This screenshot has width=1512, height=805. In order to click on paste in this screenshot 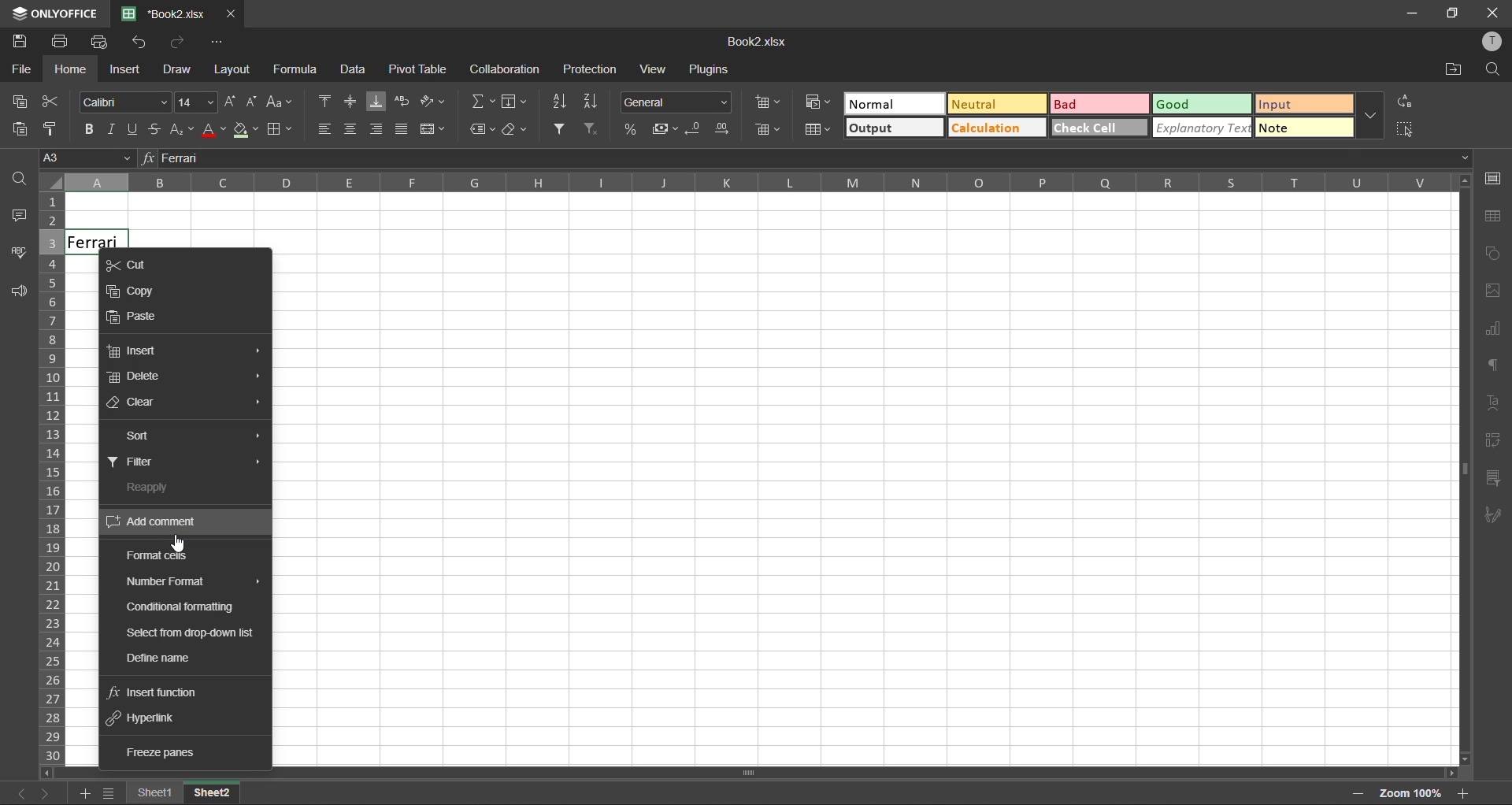, I will do `click(19, 130)`.